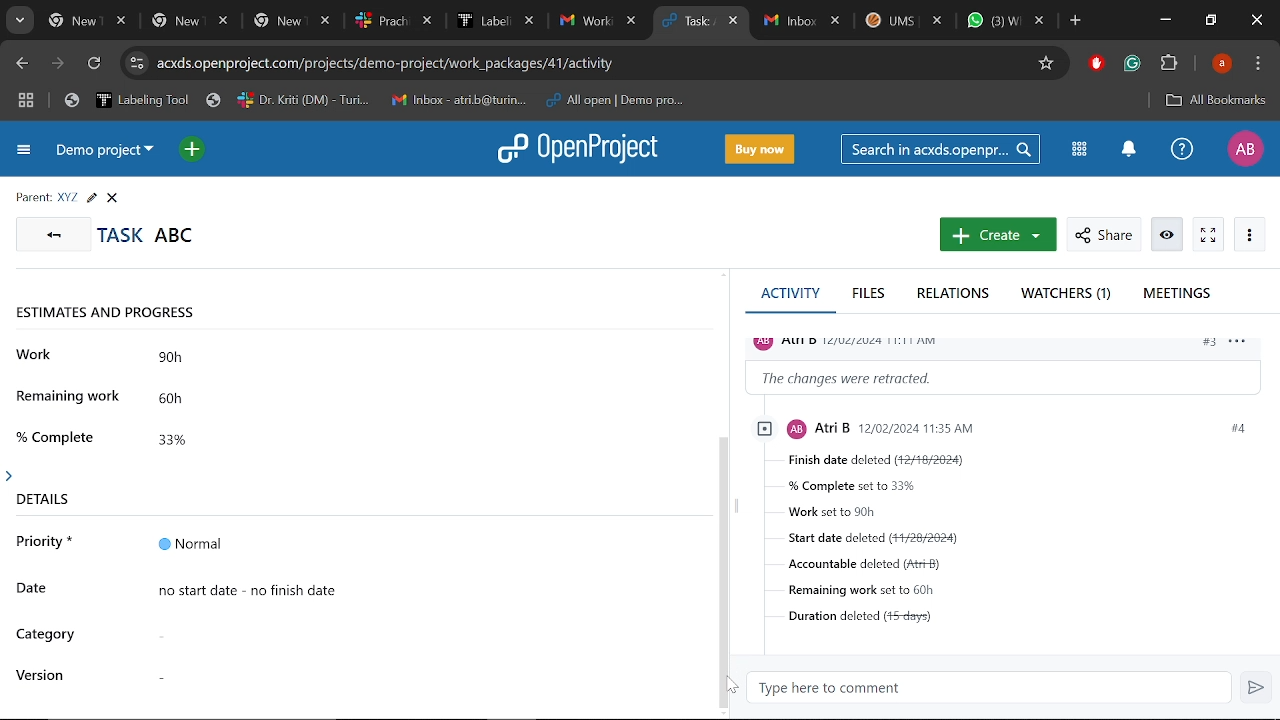 The height and width of the screenshot is (720, 1280). Describe the element at coordinates (398, 64) in the screenshot. I see `Cite address` at that location.